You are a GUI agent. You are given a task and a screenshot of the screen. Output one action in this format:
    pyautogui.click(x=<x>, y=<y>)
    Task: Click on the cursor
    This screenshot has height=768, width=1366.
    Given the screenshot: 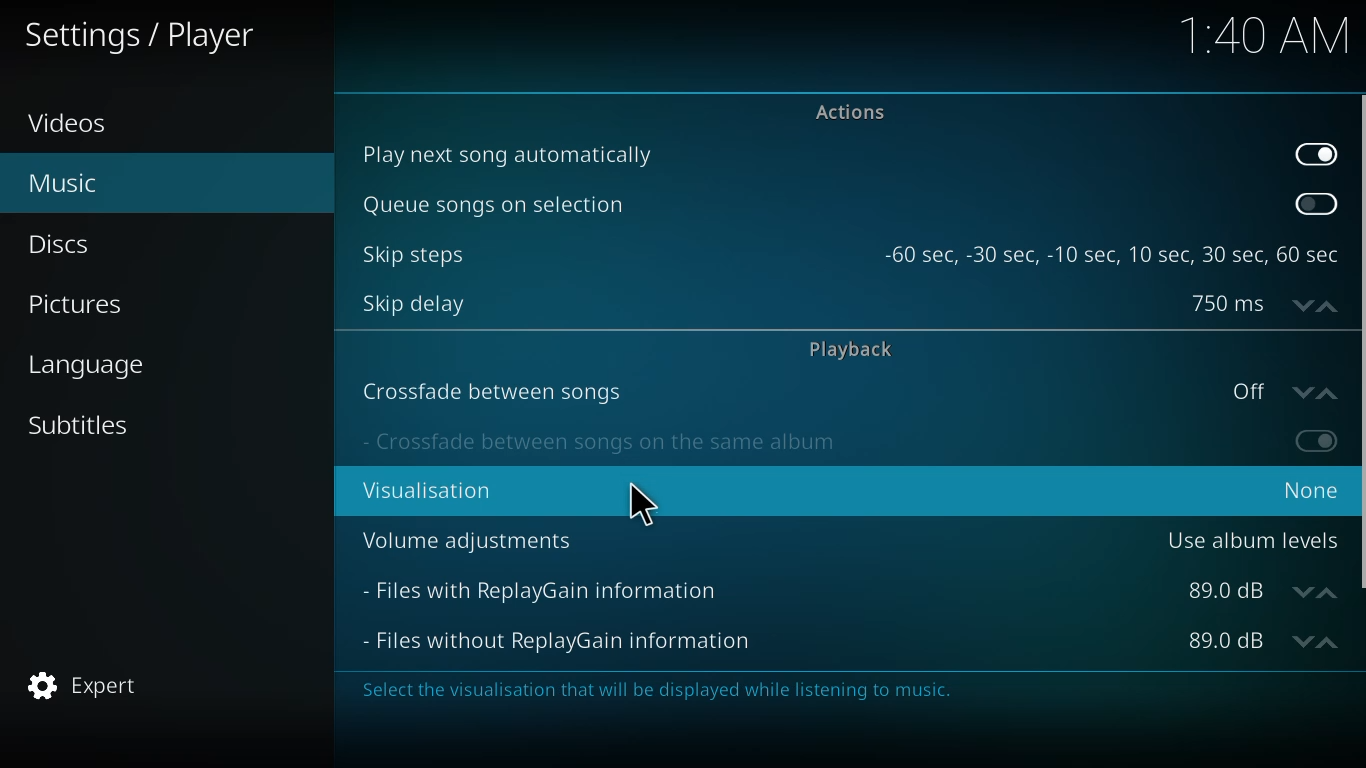 What is the action you would take?
    pyautogui.click(x=642, y=504)
    